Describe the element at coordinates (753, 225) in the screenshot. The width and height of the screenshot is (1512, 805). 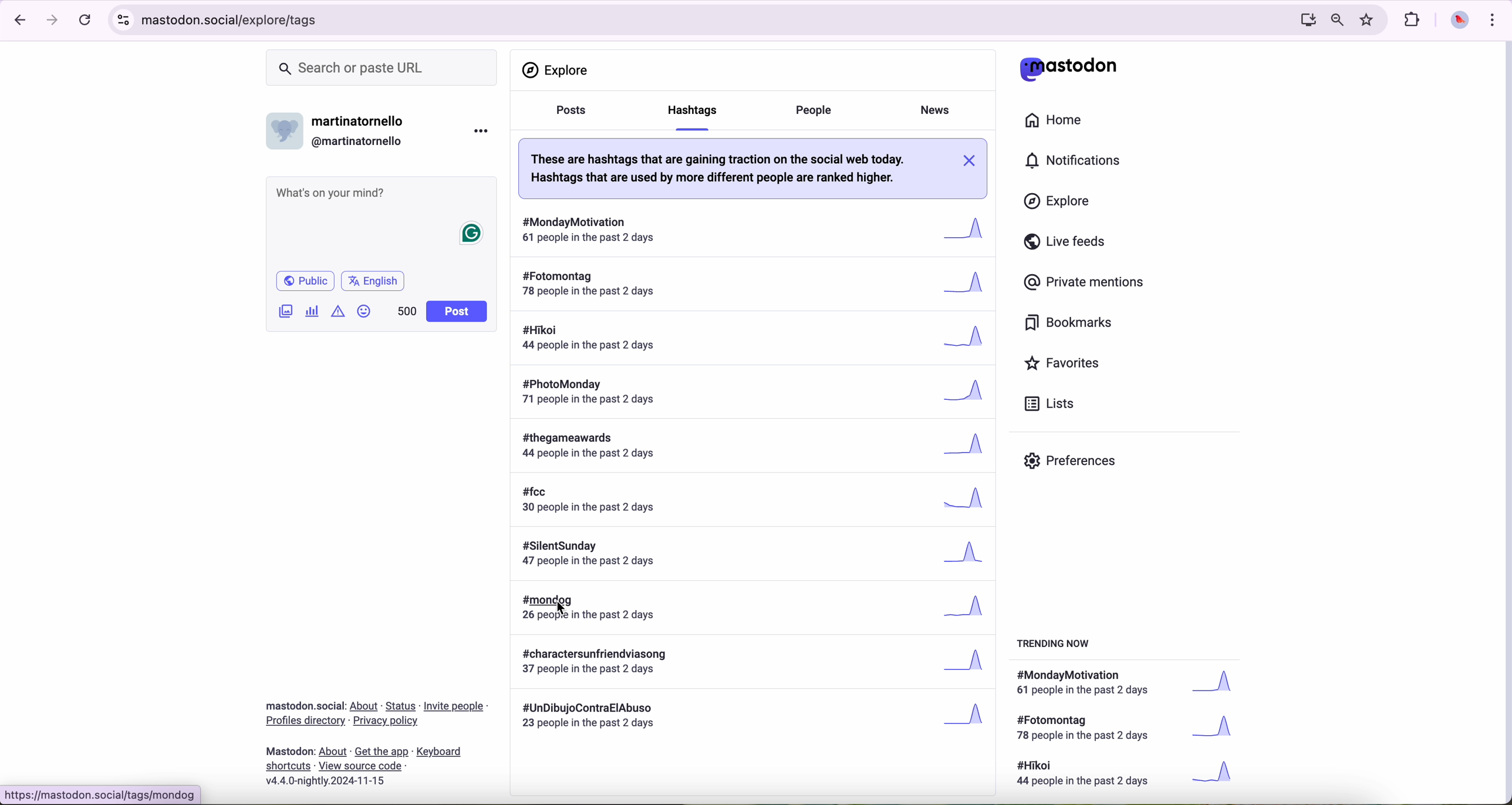
I see `#MondayMotivation` at that location.